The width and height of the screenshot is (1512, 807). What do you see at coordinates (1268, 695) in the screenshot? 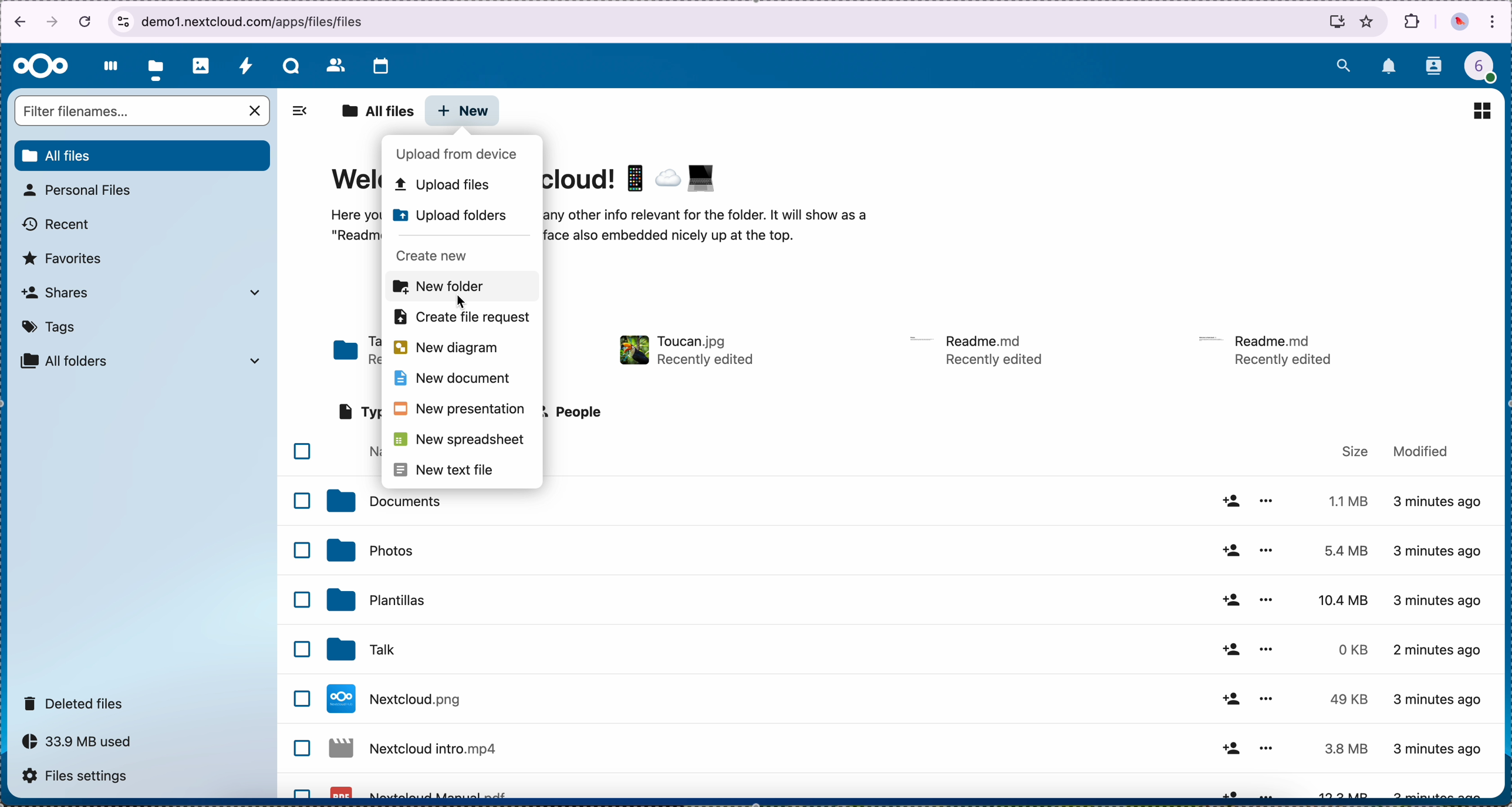
I see `more options` at bounding box center [1268, 695].